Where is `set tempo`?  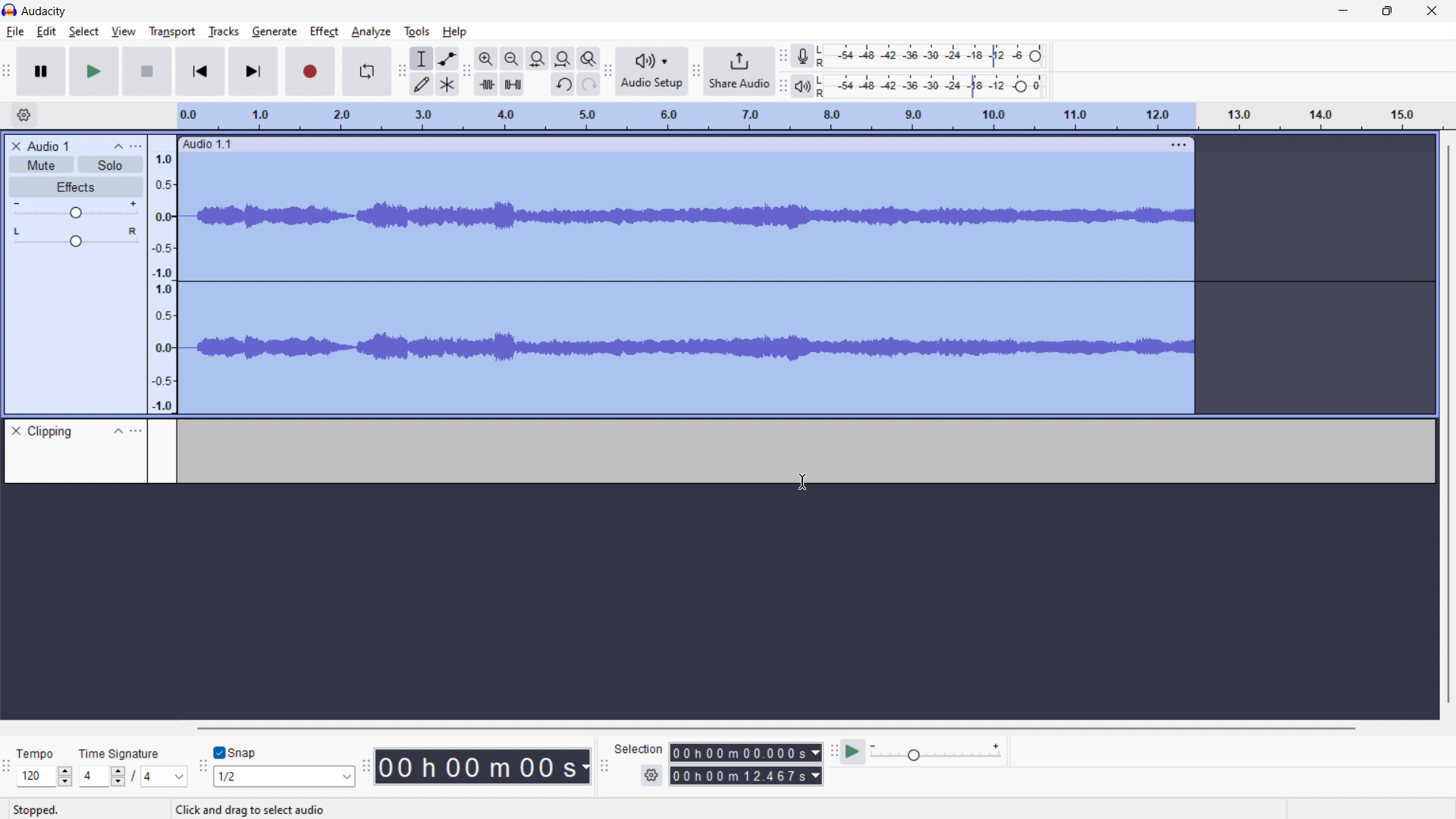
set tempo is located at coordinates (44, 776).